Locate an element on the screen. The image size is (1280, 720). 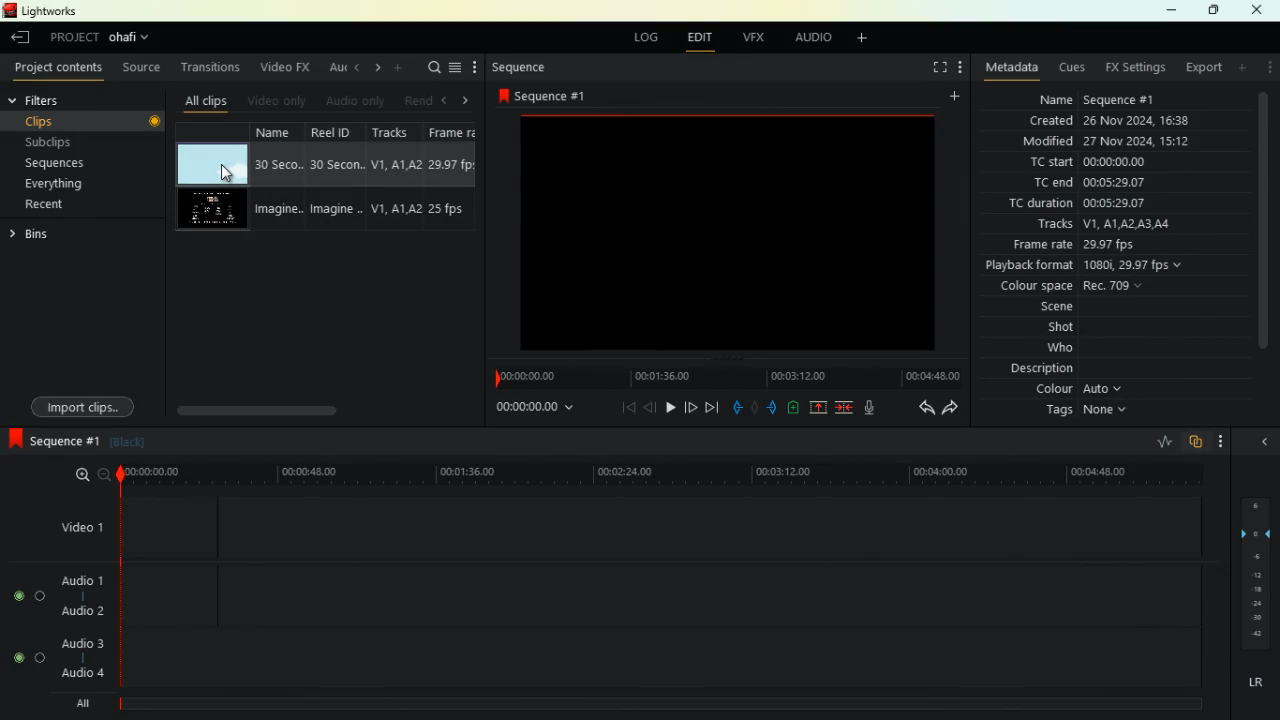
on is located at coordinates (22, 595).